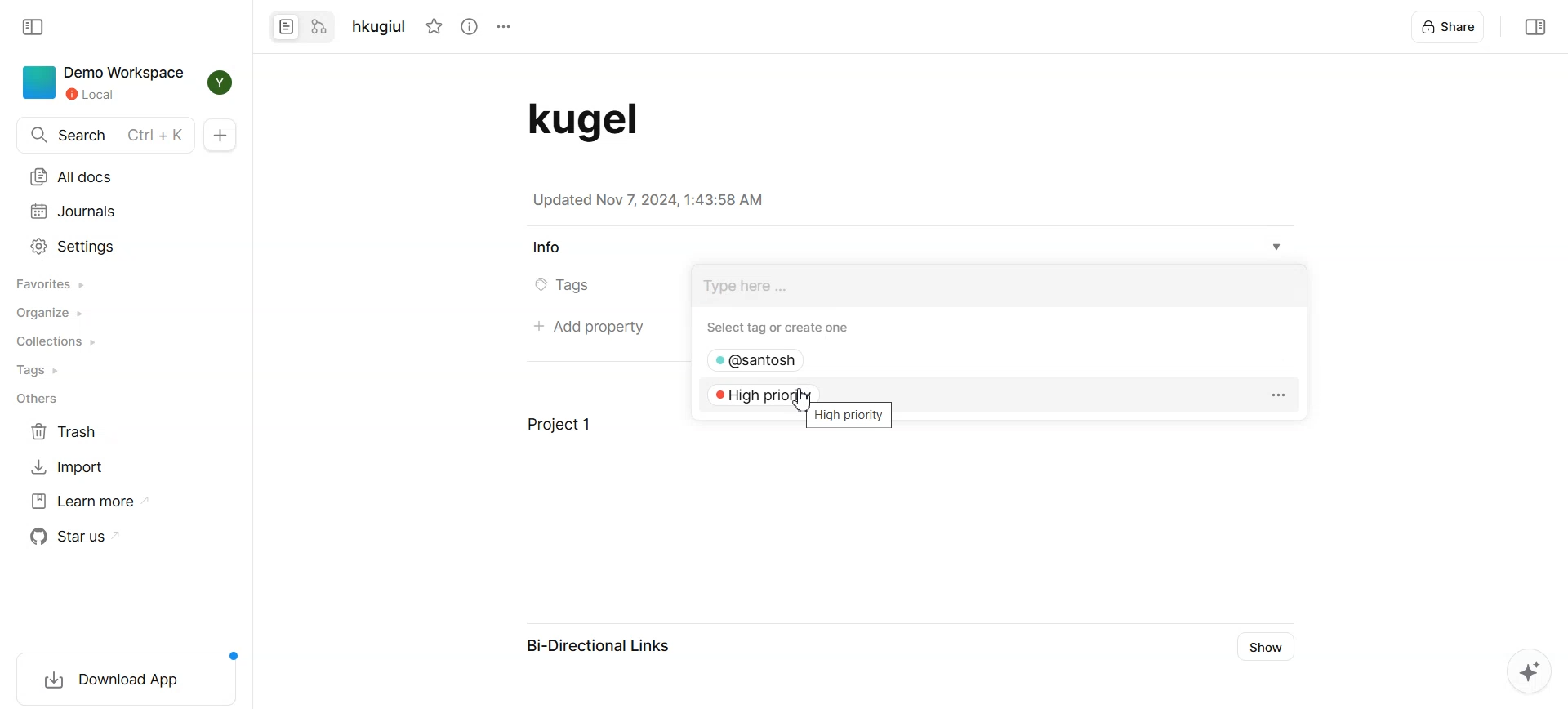 Image resolution: width=1568 pixels, height=709 pixels. What do you see at coordinates (38, 82) in the screenshot?
I see `icon` at bounding box center [38, 82].